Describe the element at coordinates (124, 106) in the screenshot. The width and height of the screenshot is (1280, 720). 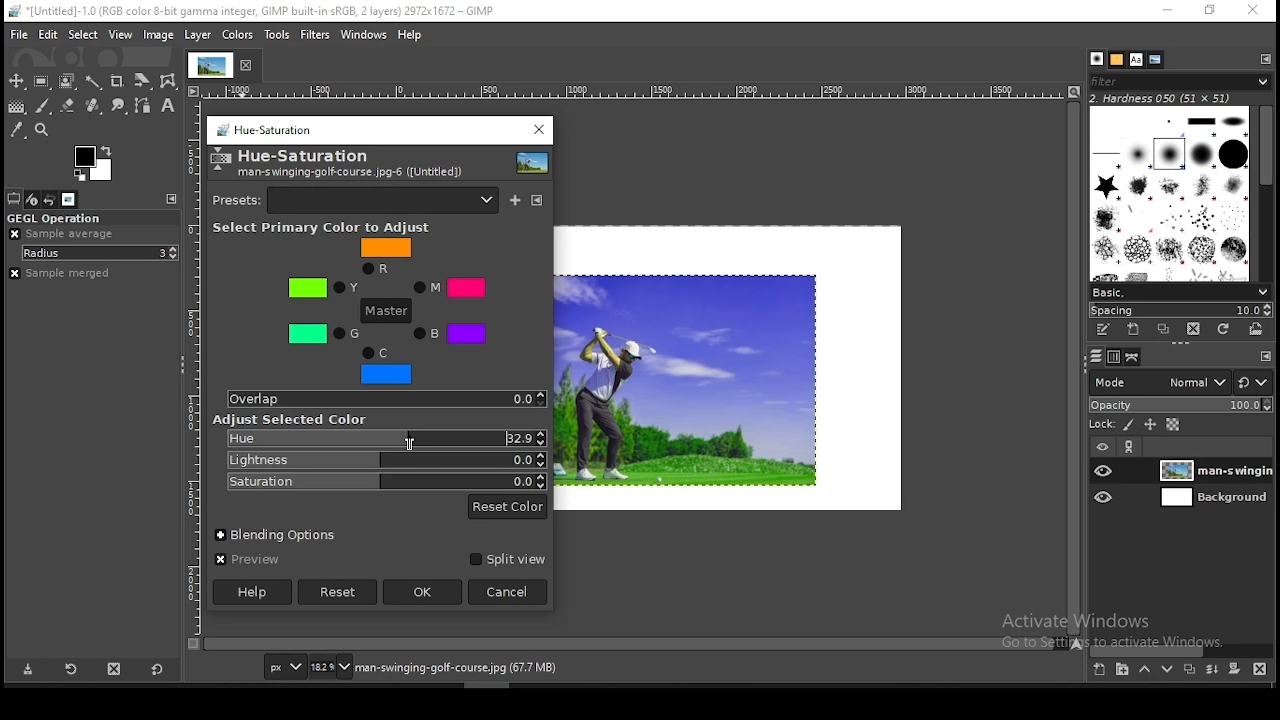
I see `smudge tool` at that location.